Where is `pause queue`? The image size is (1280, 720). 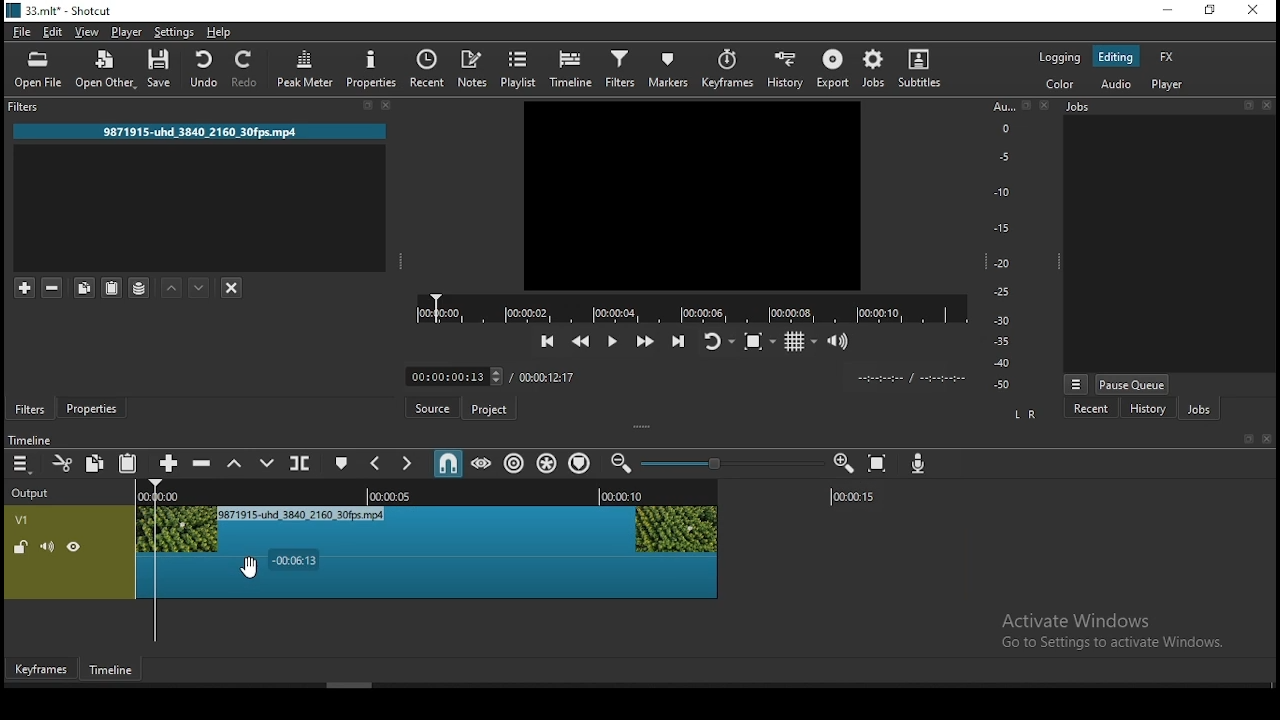 pause queue is located at coordinates (1136, 382).